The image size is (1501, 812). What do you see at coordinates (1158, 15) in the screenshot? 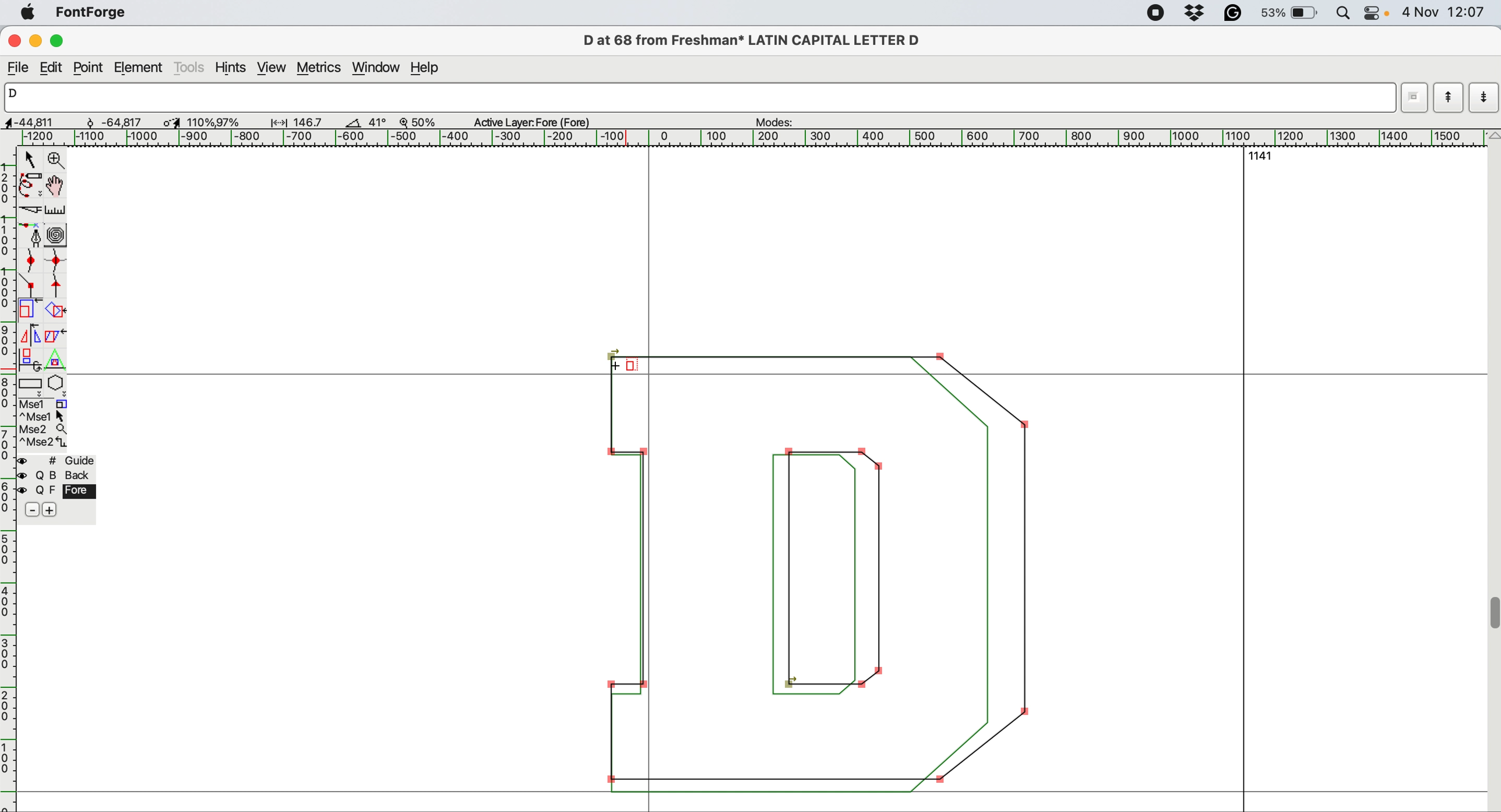
I see `screen recorder` at bounding box center [1158, 15].